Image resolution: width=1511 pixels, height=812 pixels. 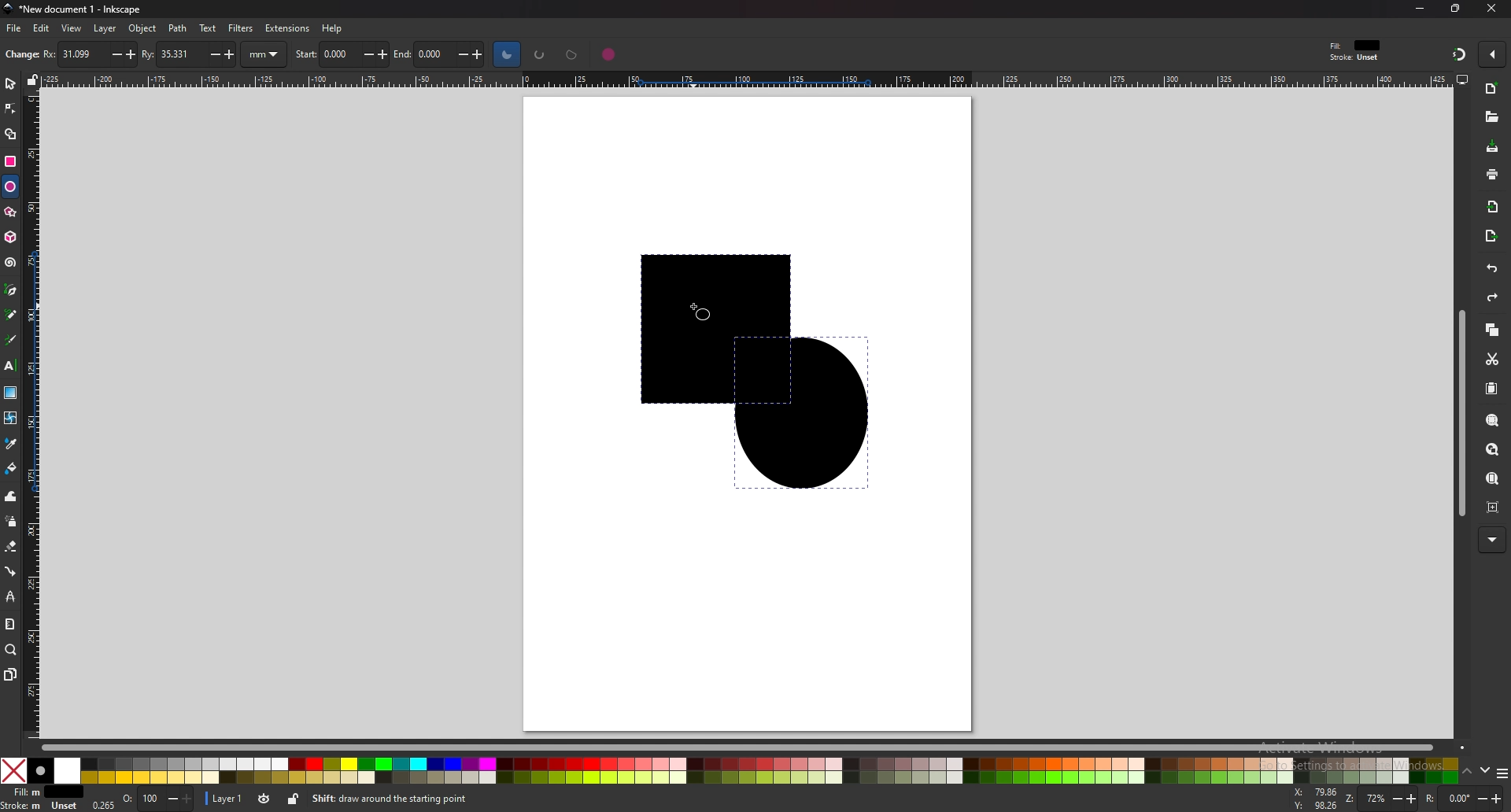 I want to click on spiral, so click(x=11, y=262).